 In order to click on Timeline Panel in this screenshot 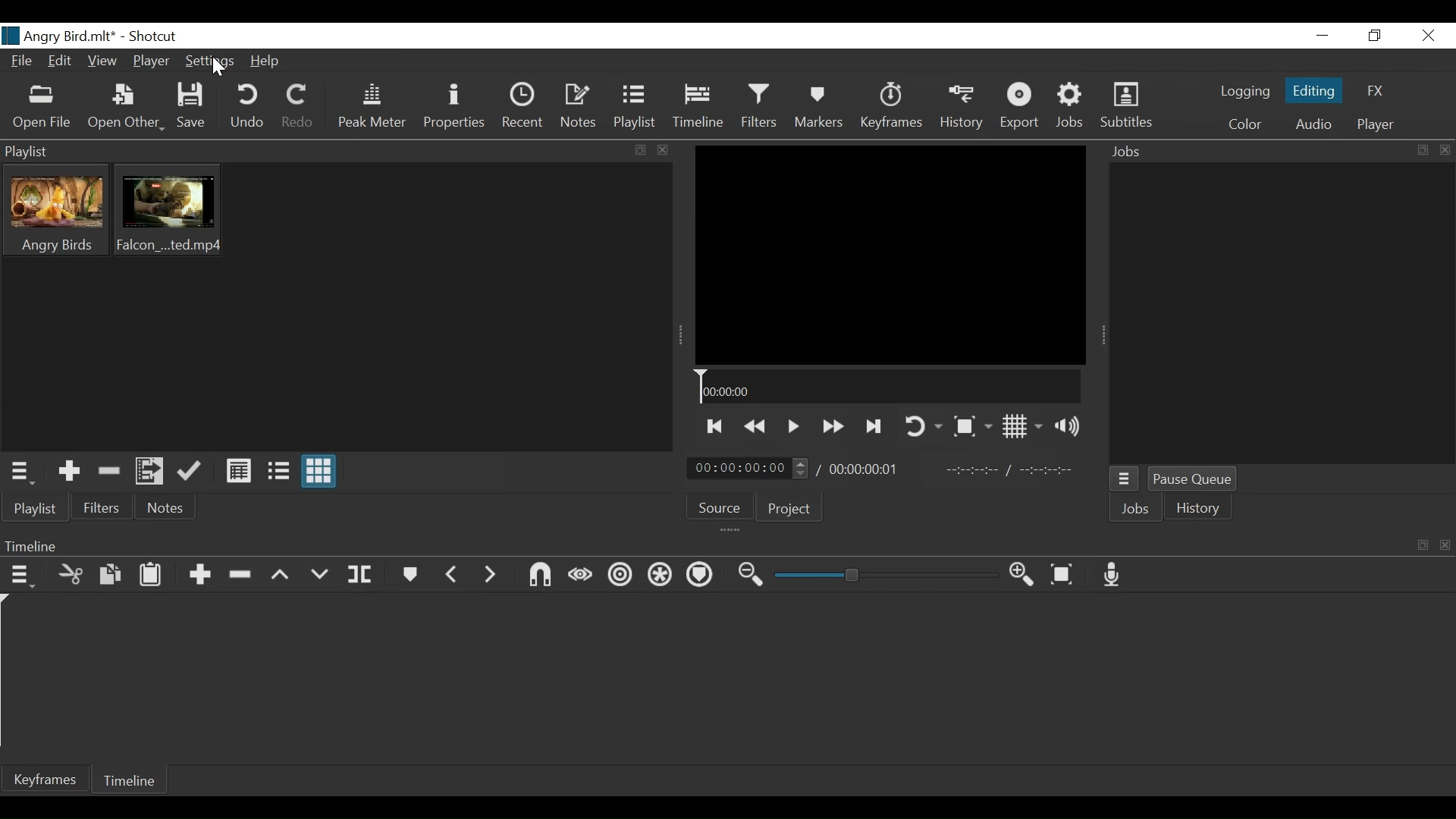, I will do `click(723, 543)`.